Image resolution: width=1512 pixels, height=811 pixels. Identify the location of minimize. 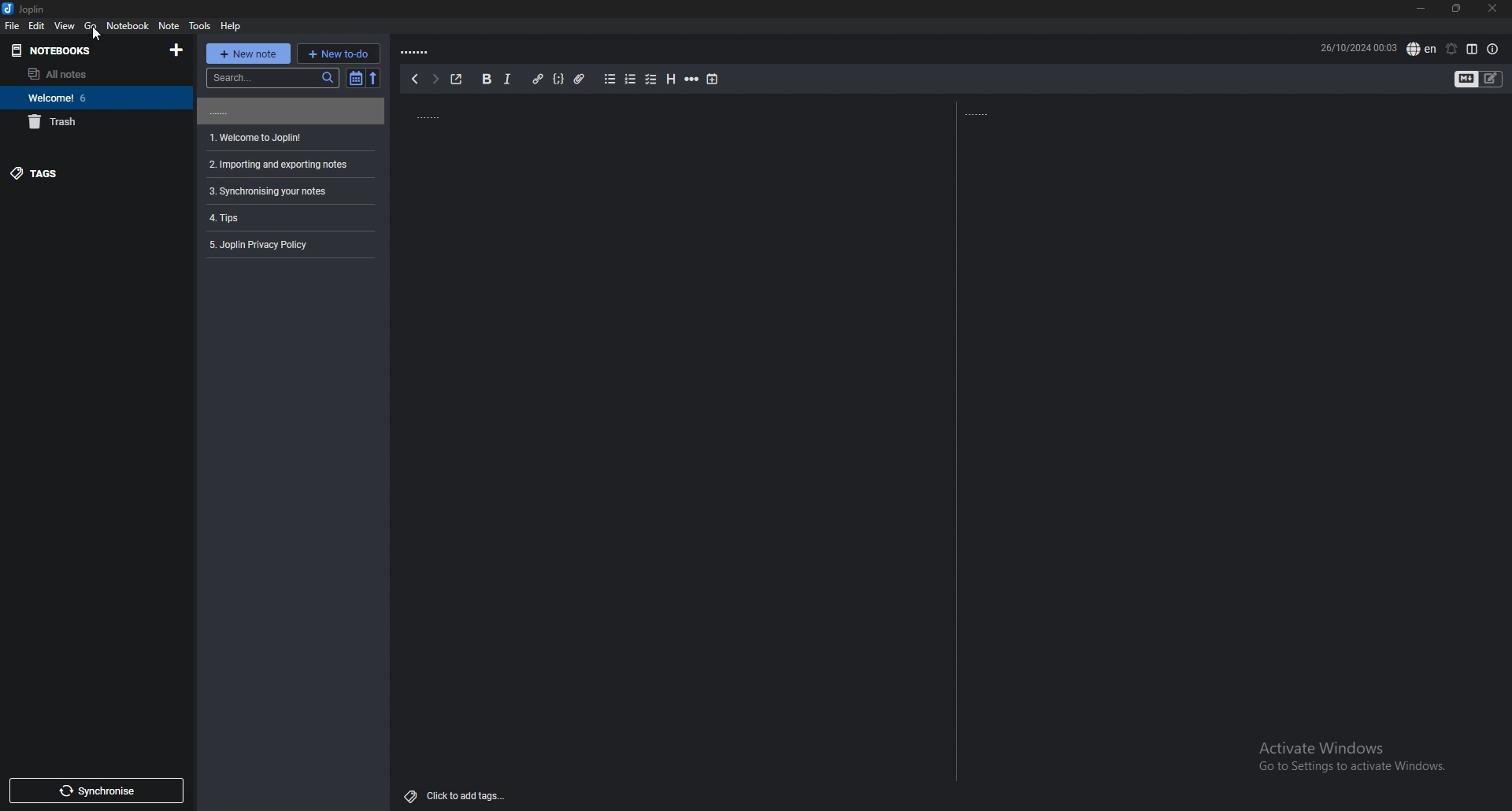
(1422, 9).